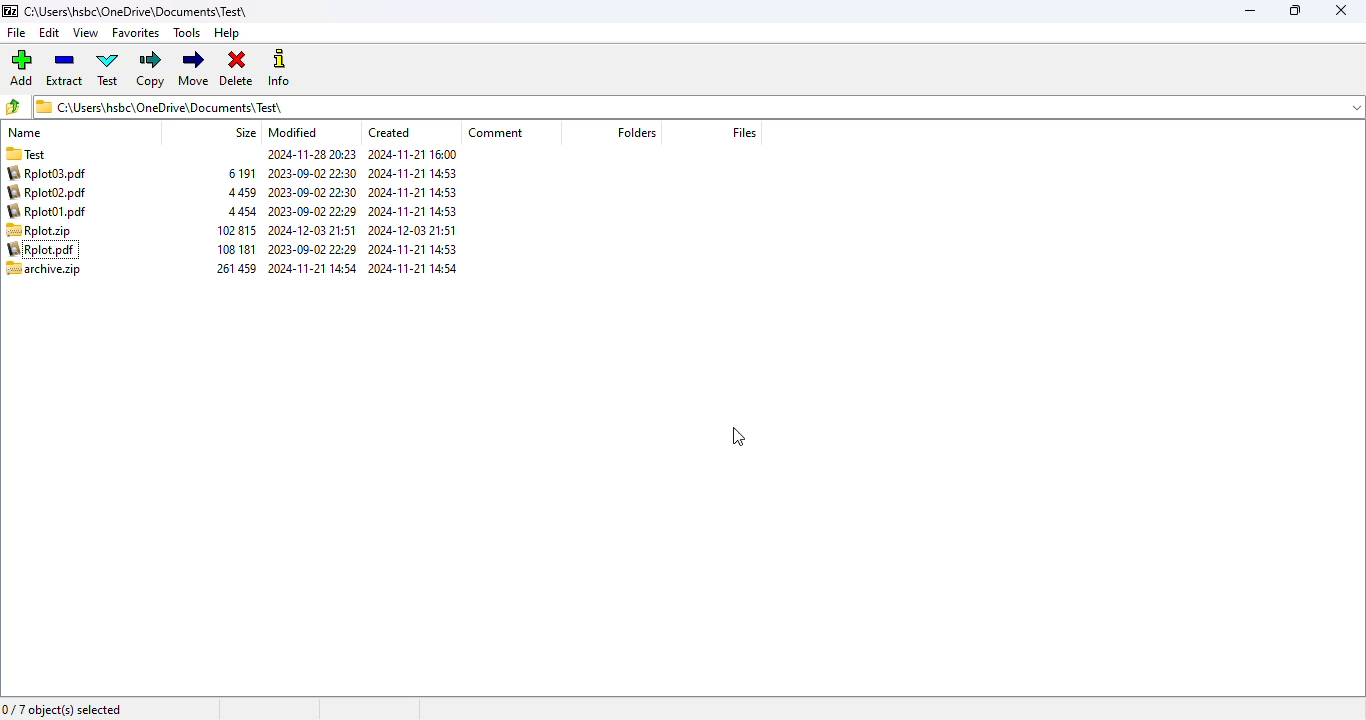  What do you see at coordinates (312, 184) in the screenshot?
I see `modified date and time` at bounding box center [312, 184].